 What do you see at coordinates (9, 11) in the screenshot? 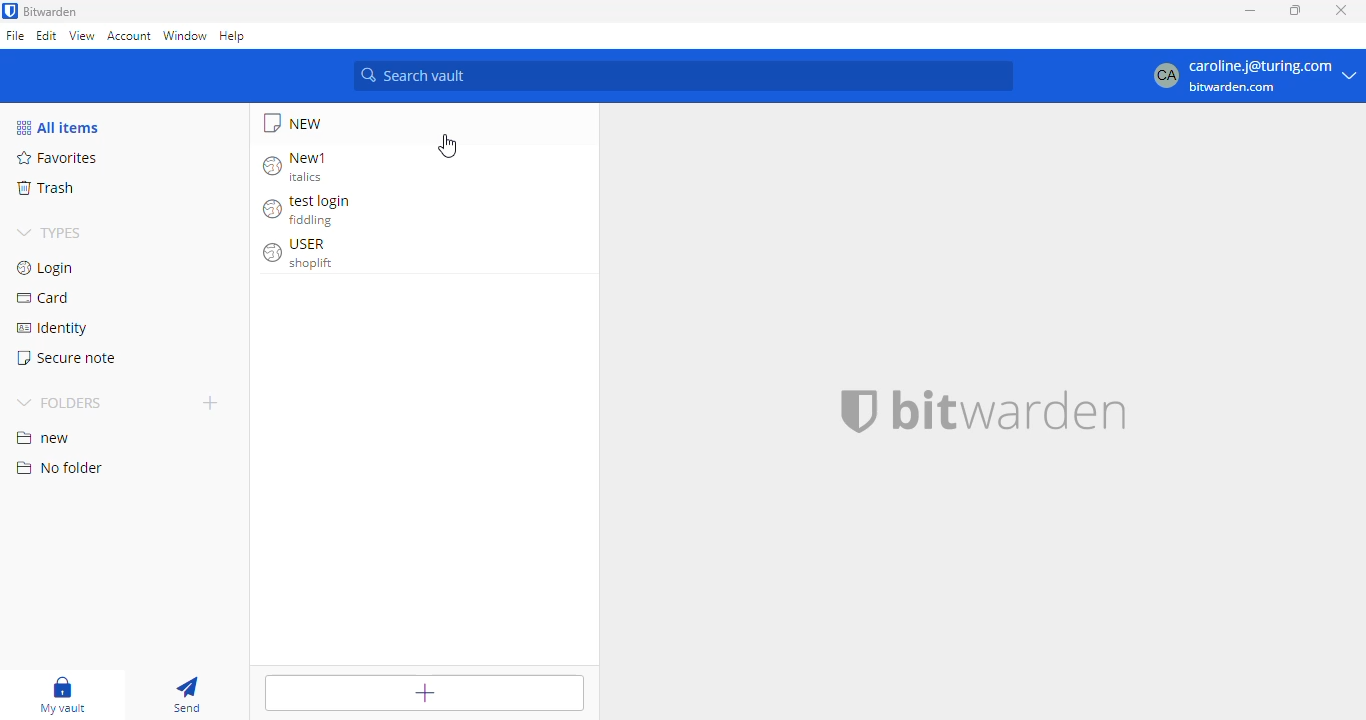
I see `logo` at bounding box center [9, 11].